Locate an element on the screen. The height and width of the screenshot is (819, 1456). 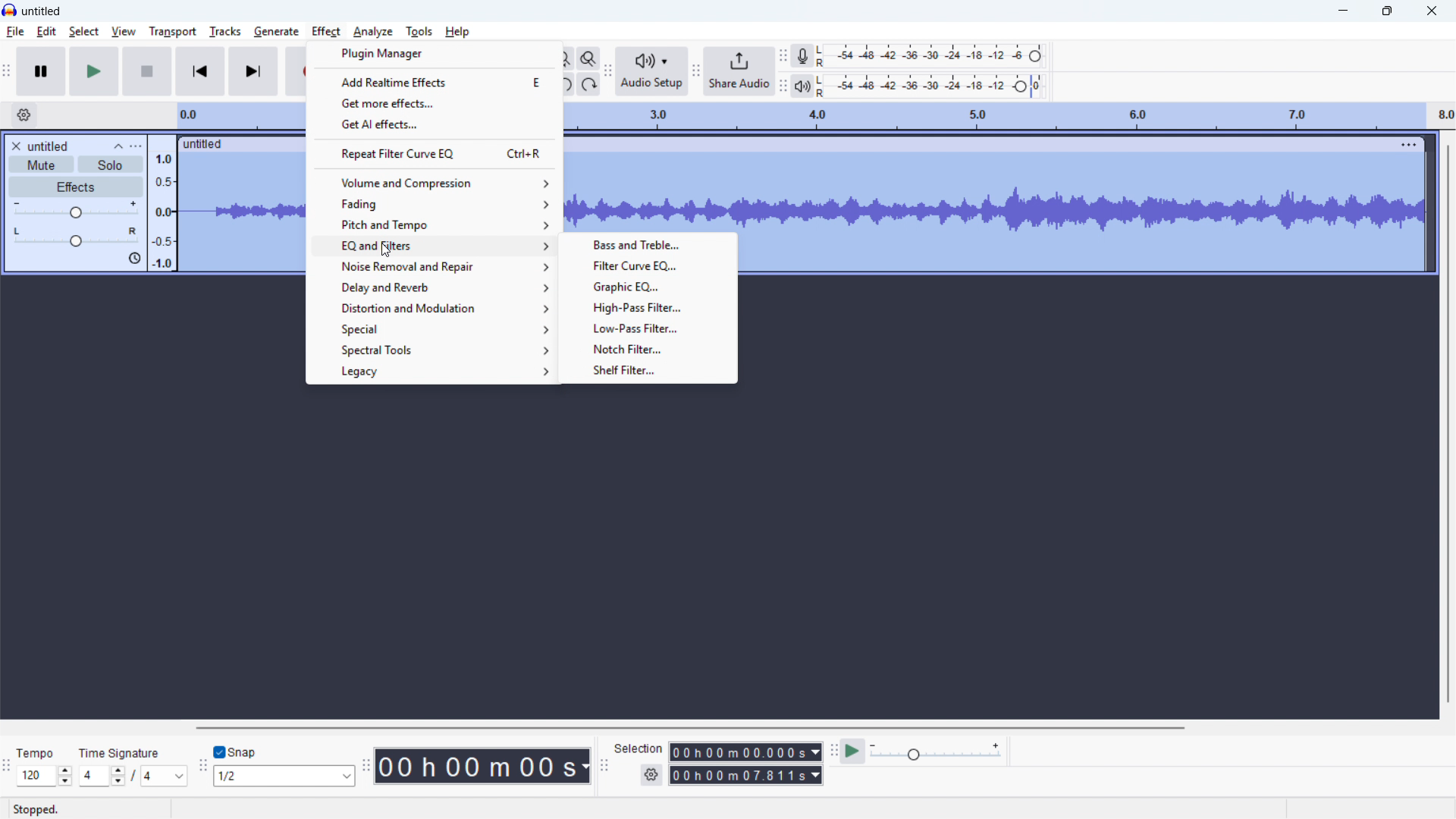
track control panel menu is located at coordinates (136, 146).